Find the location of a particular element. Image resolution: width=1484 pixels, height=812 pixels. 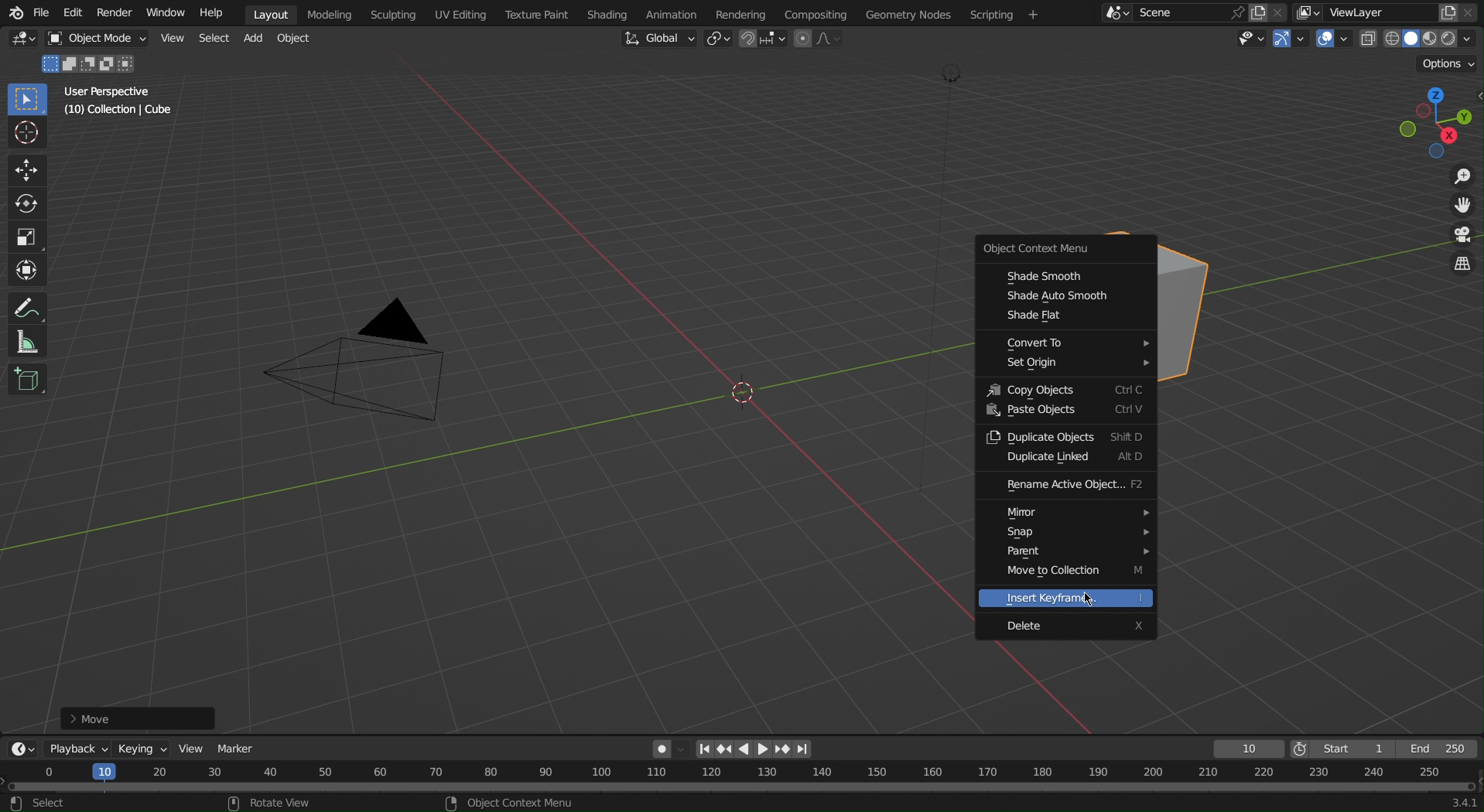

Collection | Cube is located at coordinates (120, 112).